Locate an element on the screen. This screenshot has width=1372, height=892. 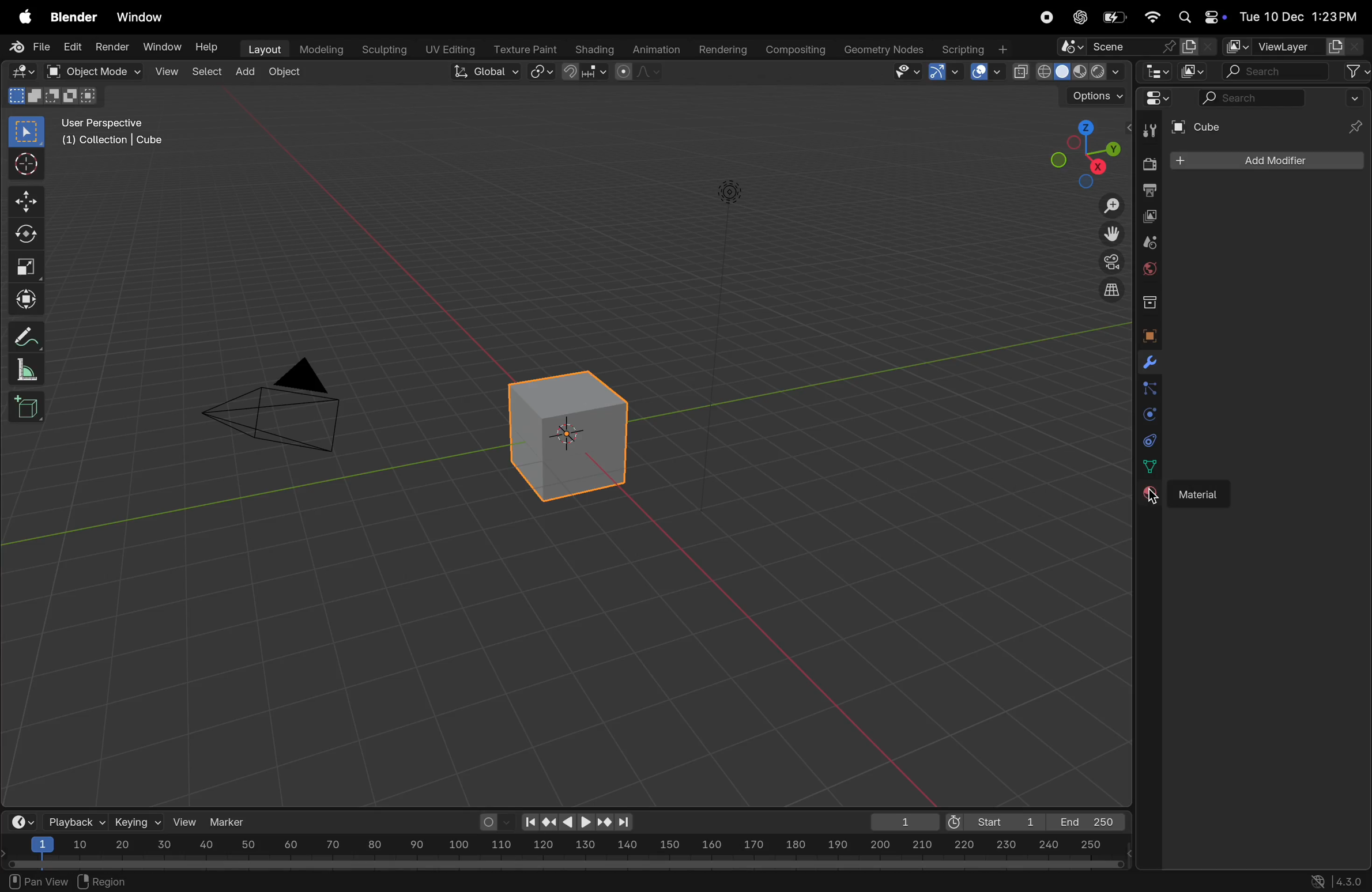
chatgpt is located at coordinates (1078, 17).